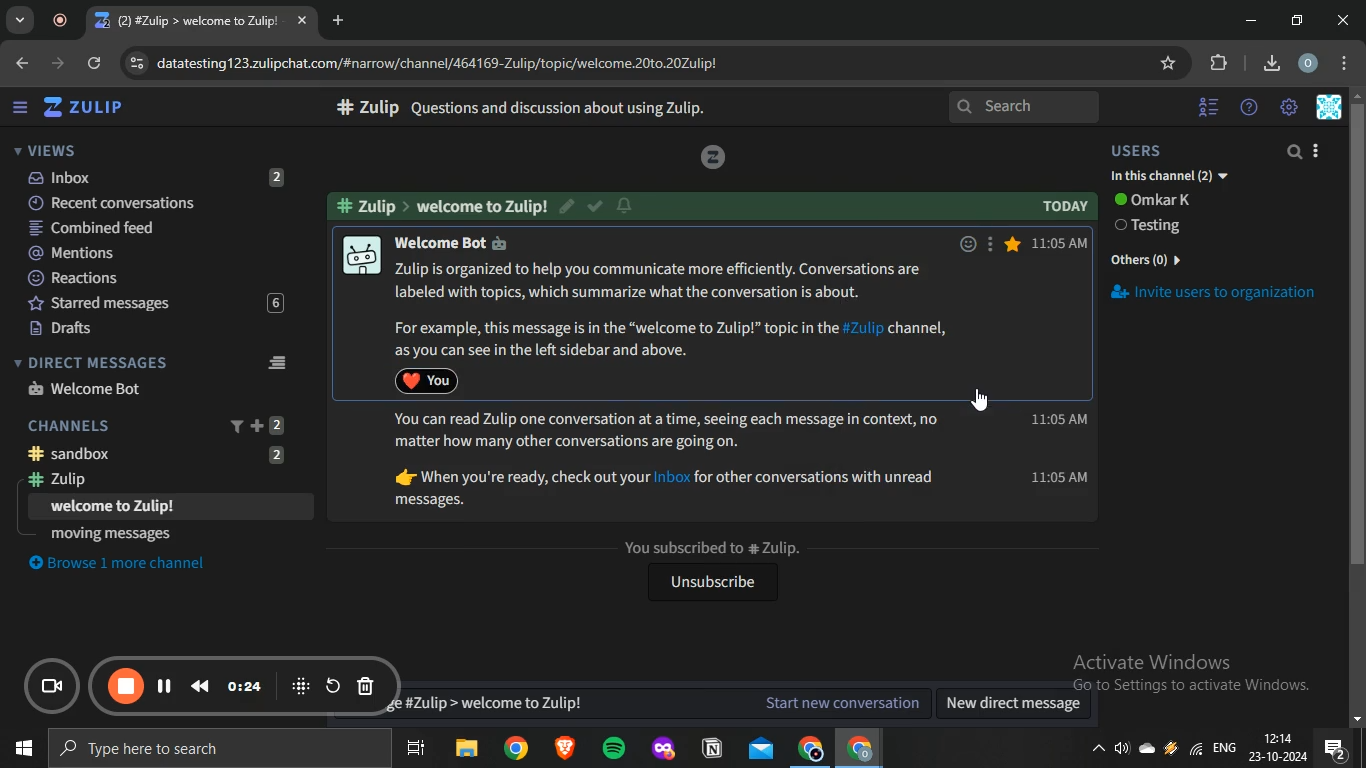 The image size is (1366, 768). I want to click on channel image, so click(360, 253).